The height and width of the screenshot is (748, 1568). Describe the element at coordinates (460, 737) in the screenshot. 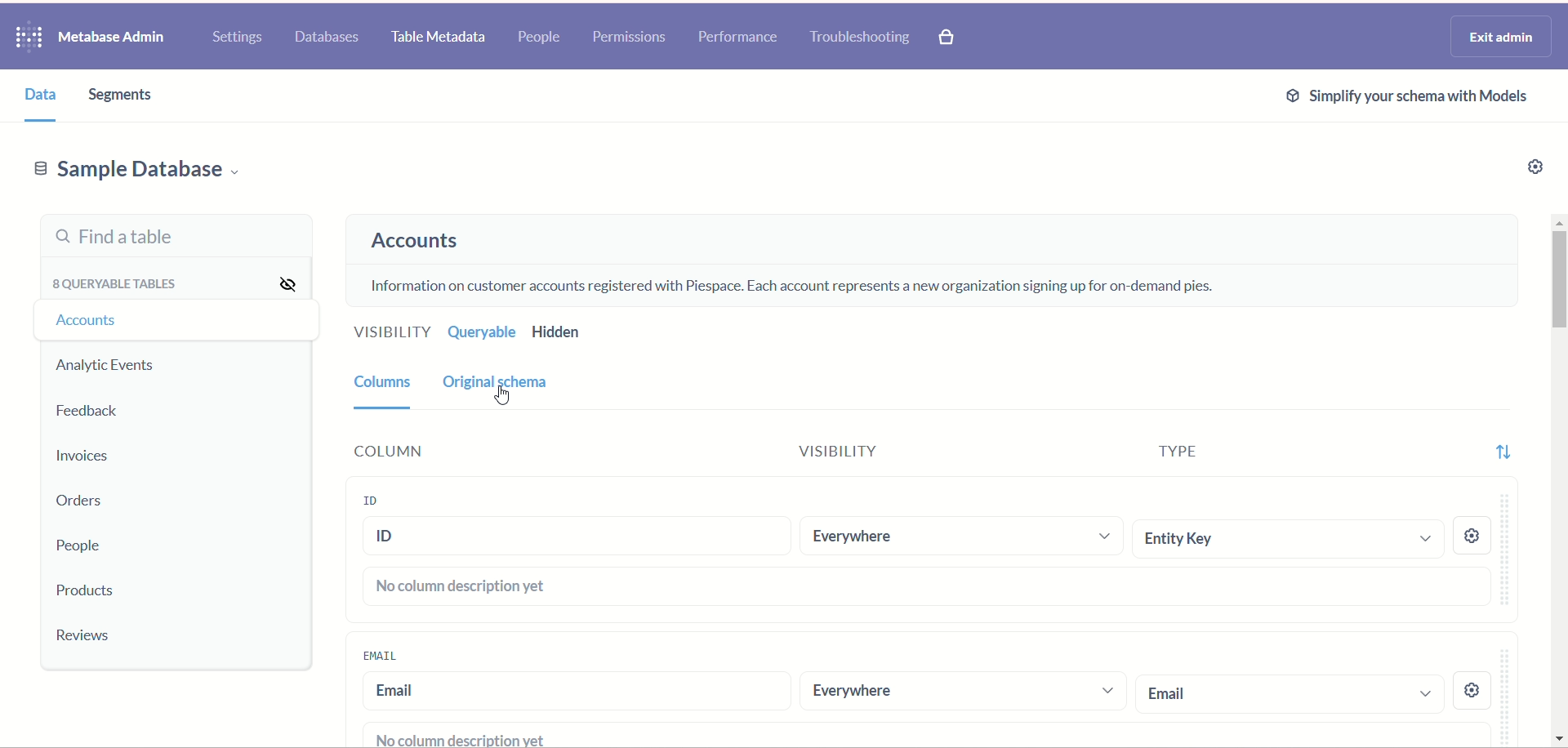

I see `text` at that location.